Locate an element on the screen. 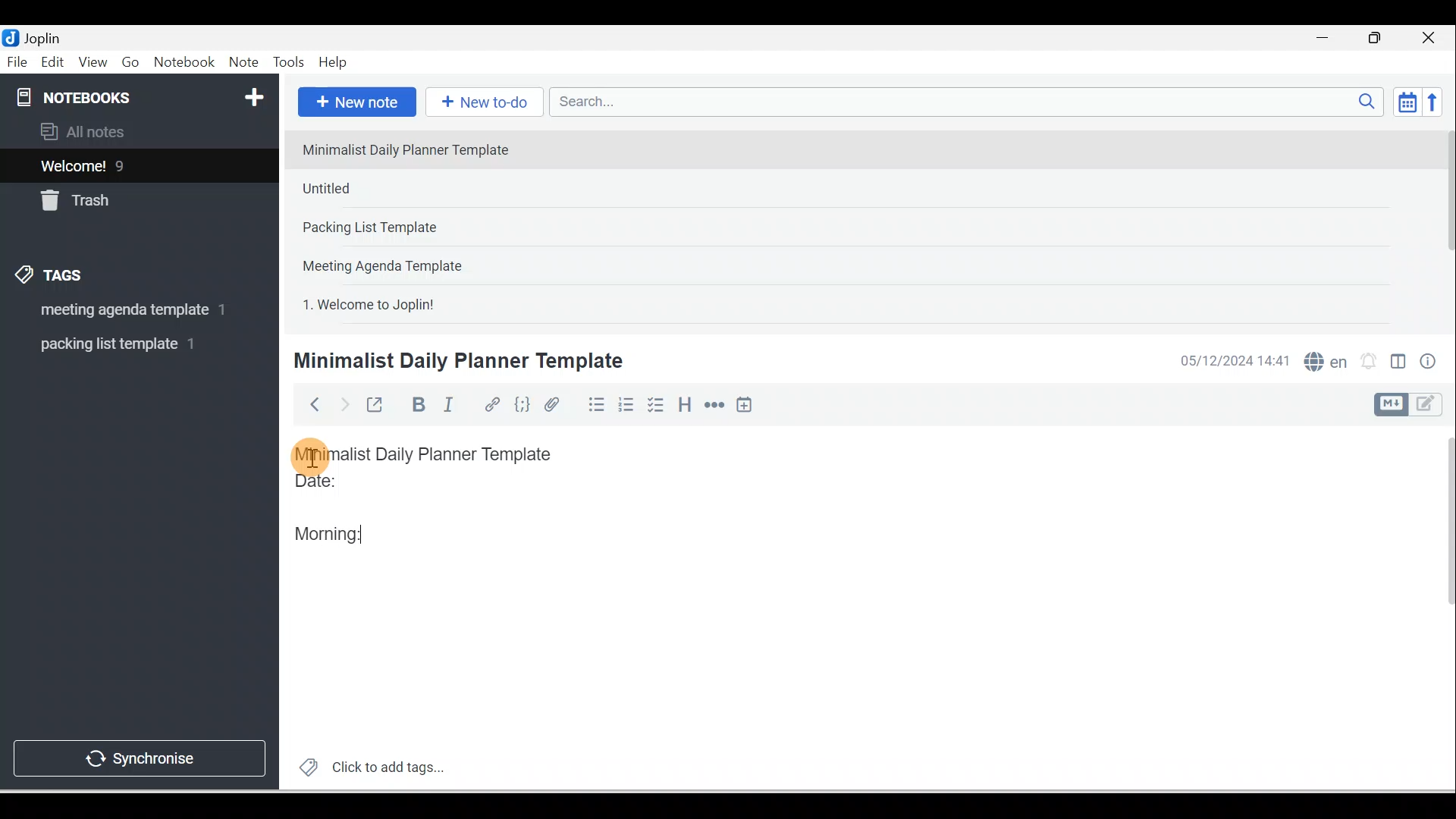  Attach file is located at coordinates (556, 404).